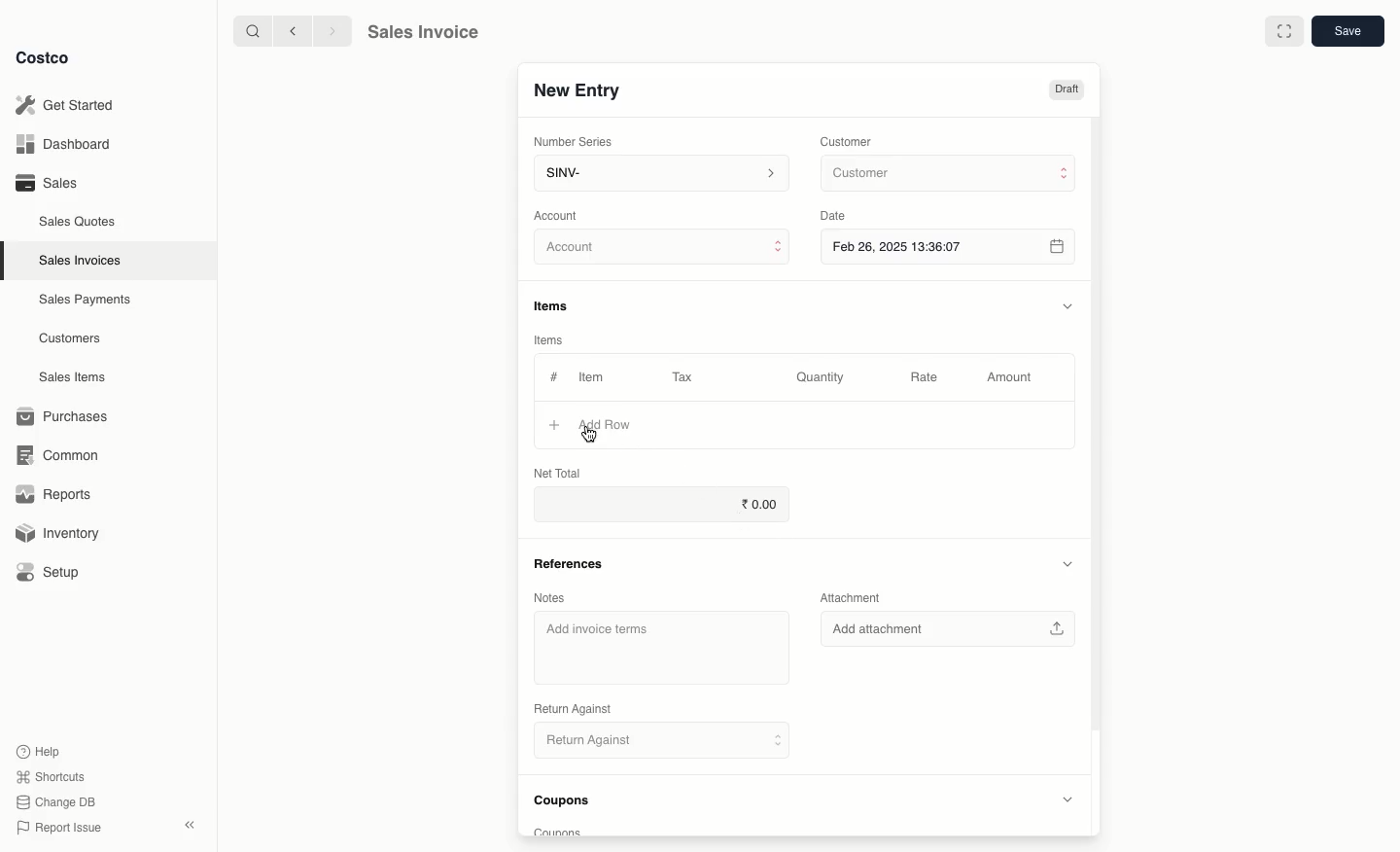  What do you see at coordinates (556, 473) in the screenshot?
I see `Net Total` at bounding box center [556, 473].